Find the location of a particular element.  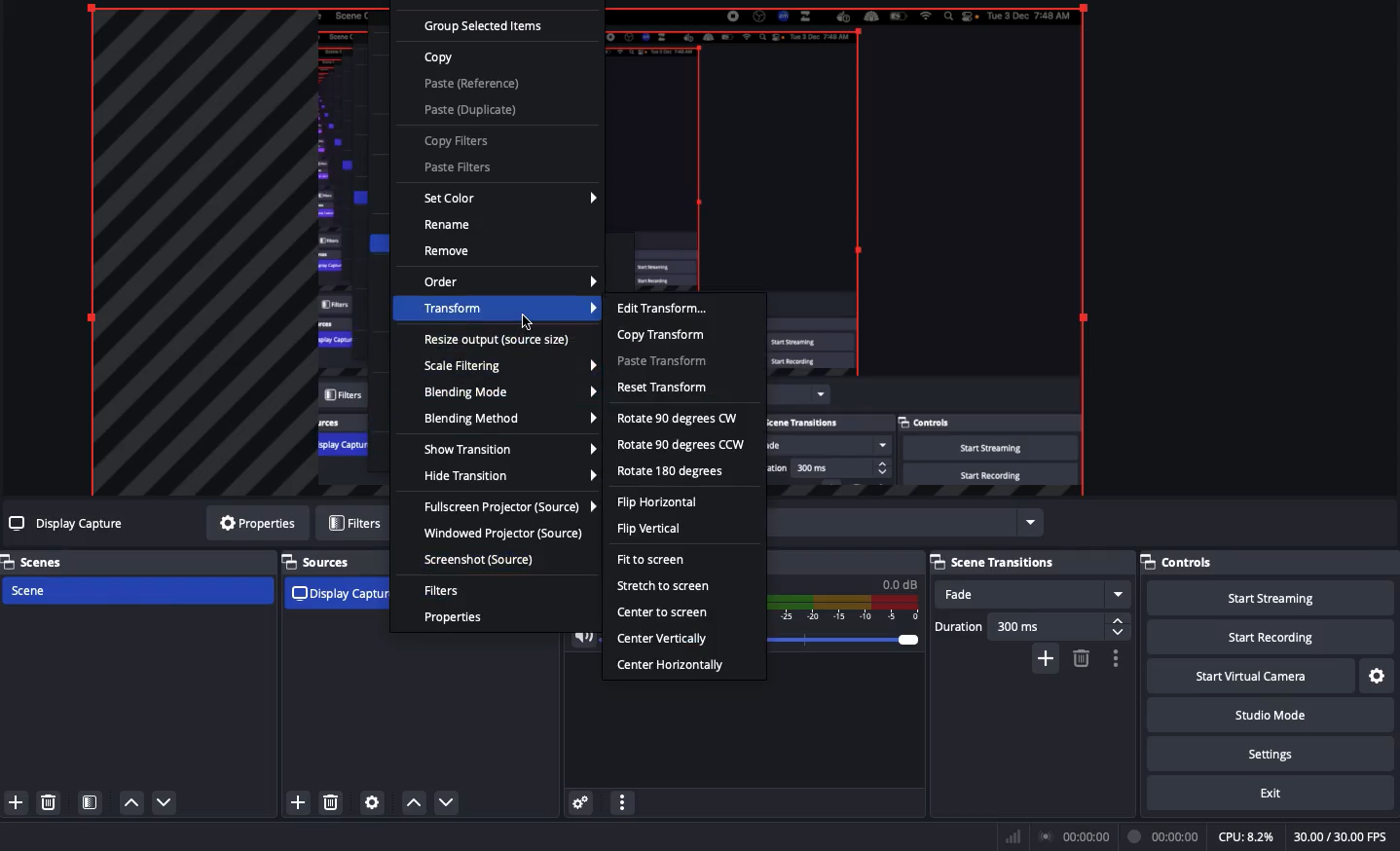

Flip horizontal  is located at coordinates (659, 502).